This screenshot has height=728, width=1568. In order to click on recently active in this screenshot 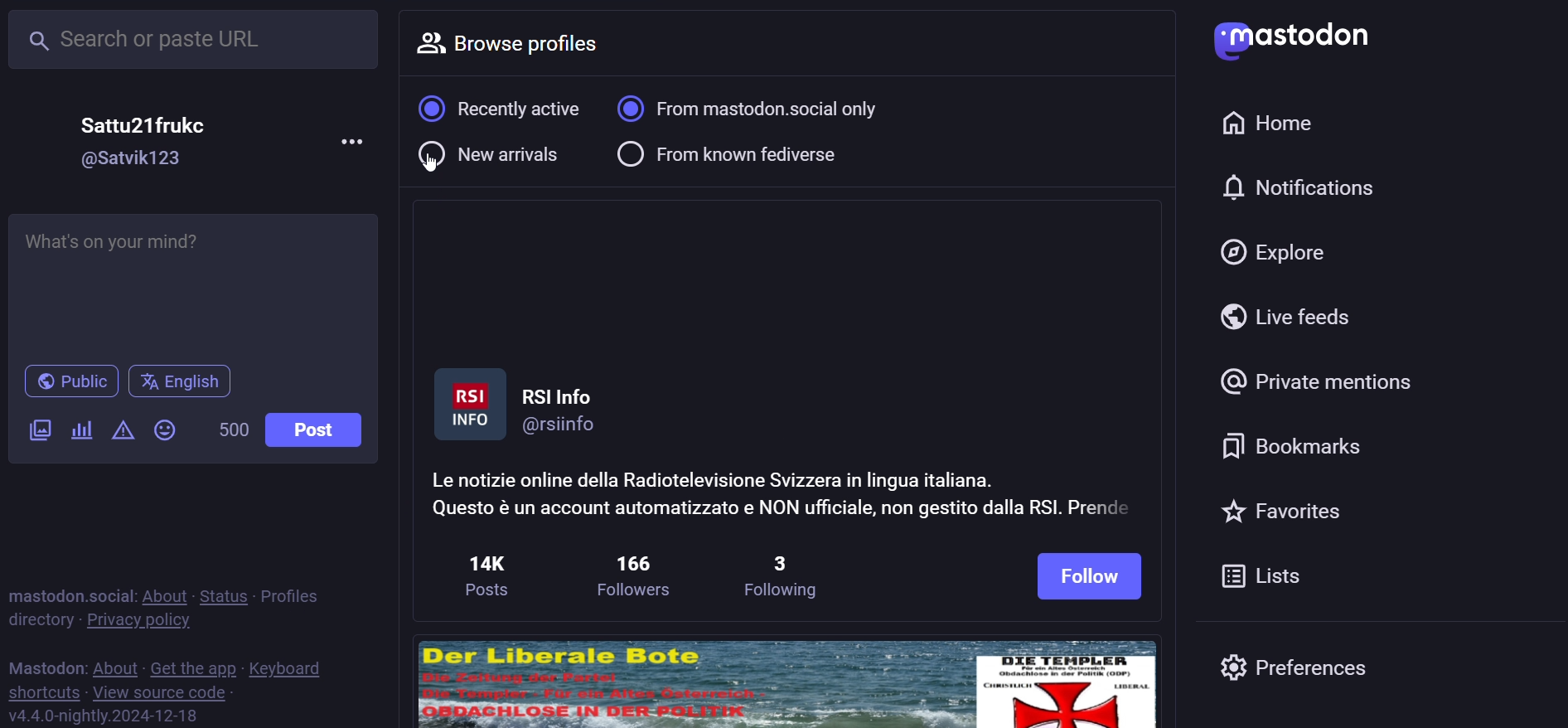, I will do `click(500, 108)`.